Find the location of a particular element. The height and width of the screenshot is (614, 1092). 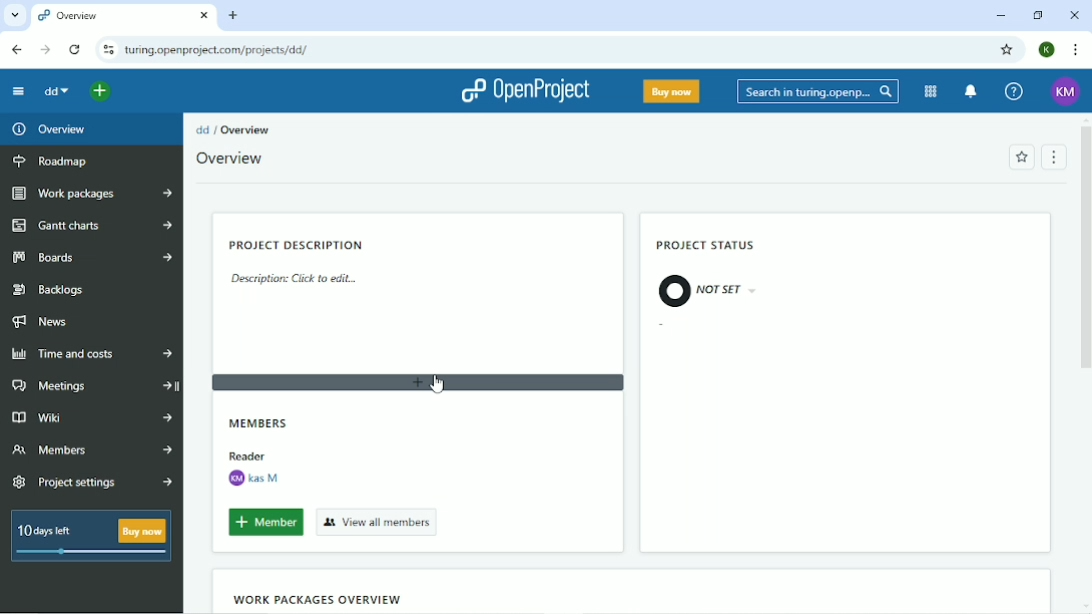

Account is located at coordinates (1065, 92).